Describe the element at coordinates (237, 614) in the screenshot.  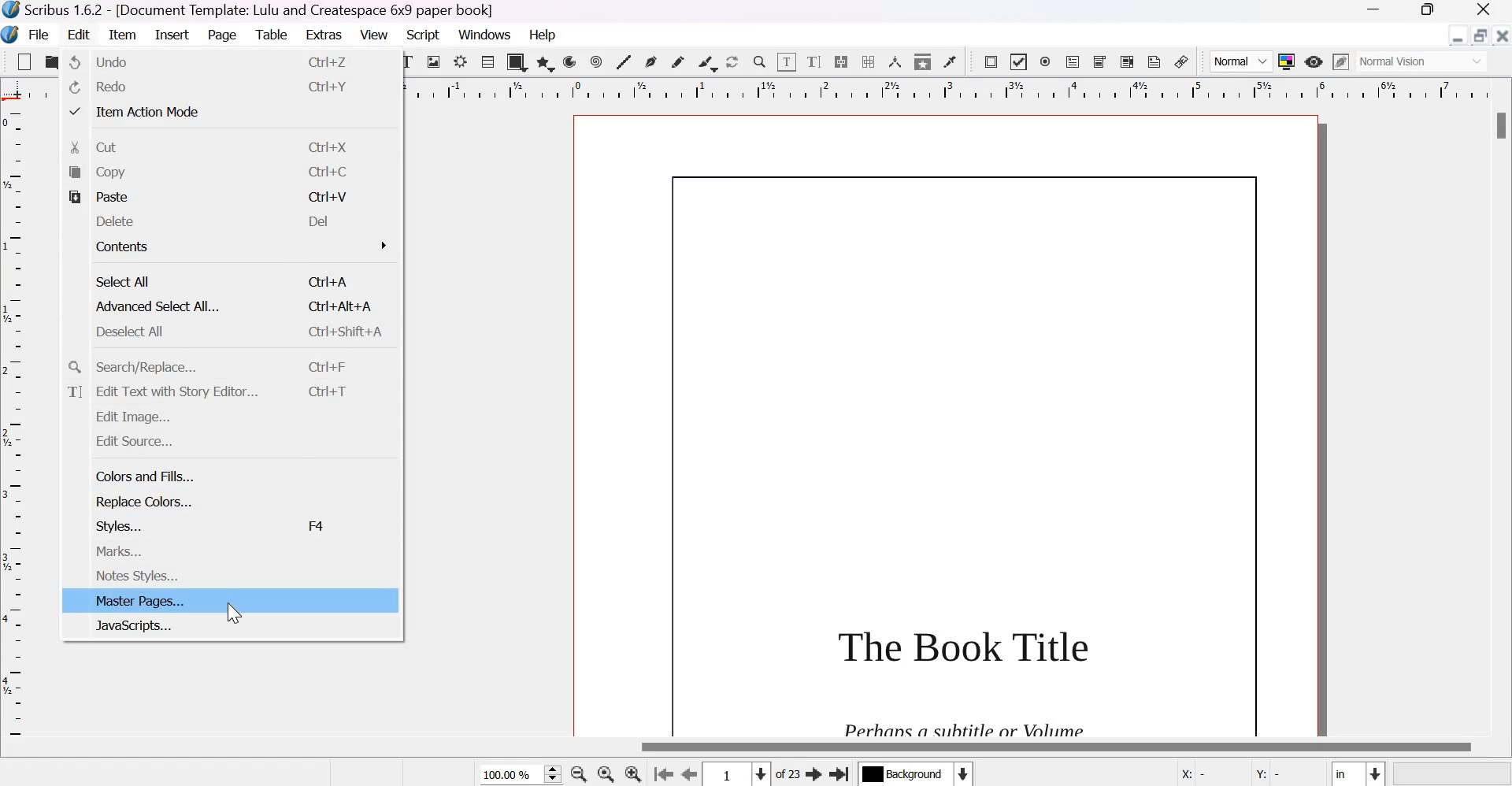
I see `cursor` at that location.